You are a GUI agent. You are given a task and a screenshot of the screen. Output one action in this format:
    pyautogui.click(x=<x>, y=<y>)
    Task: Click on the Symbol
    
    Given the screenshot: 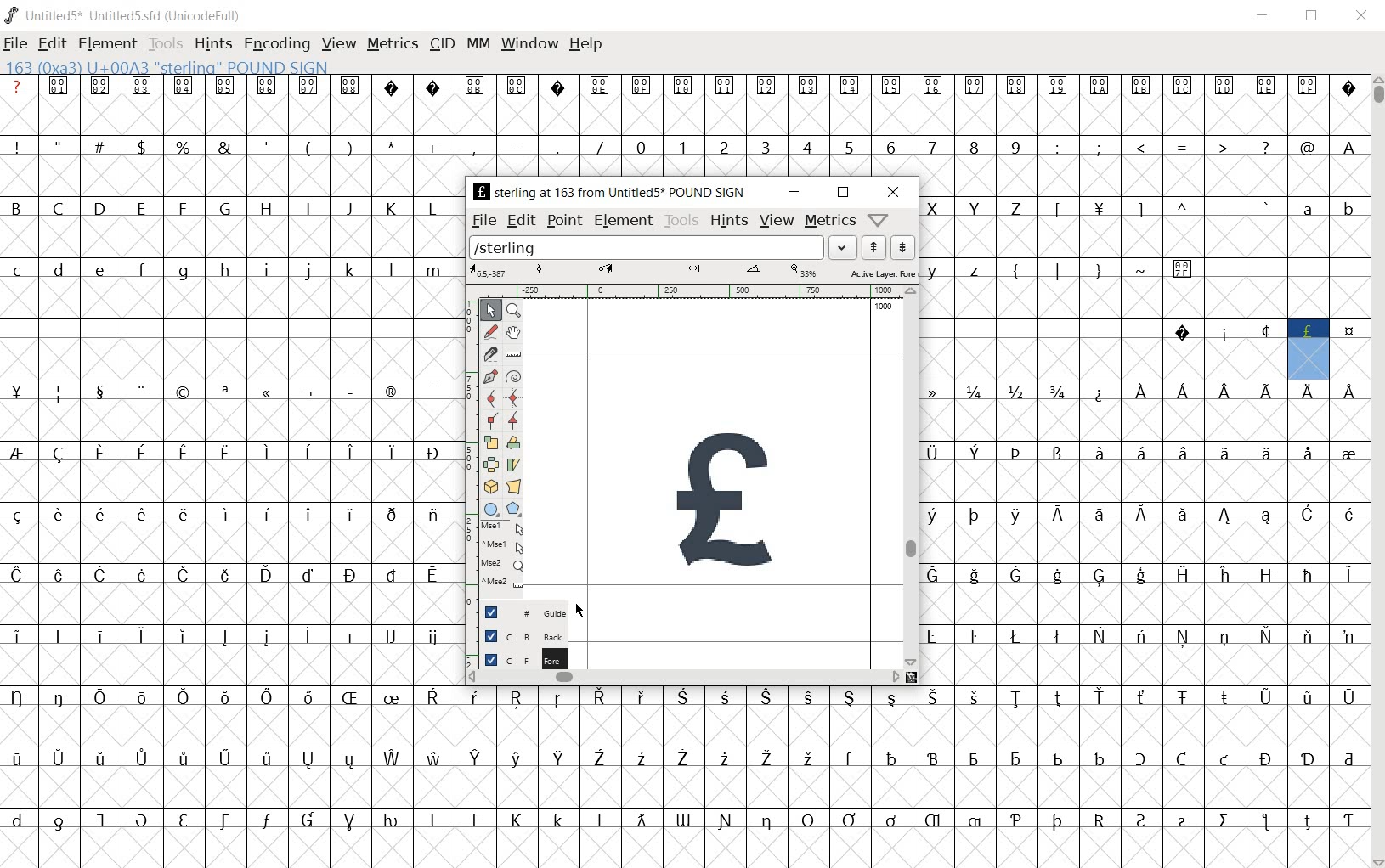 What is the action you would take?
    pyautogui.click(x=893, y=87)
    